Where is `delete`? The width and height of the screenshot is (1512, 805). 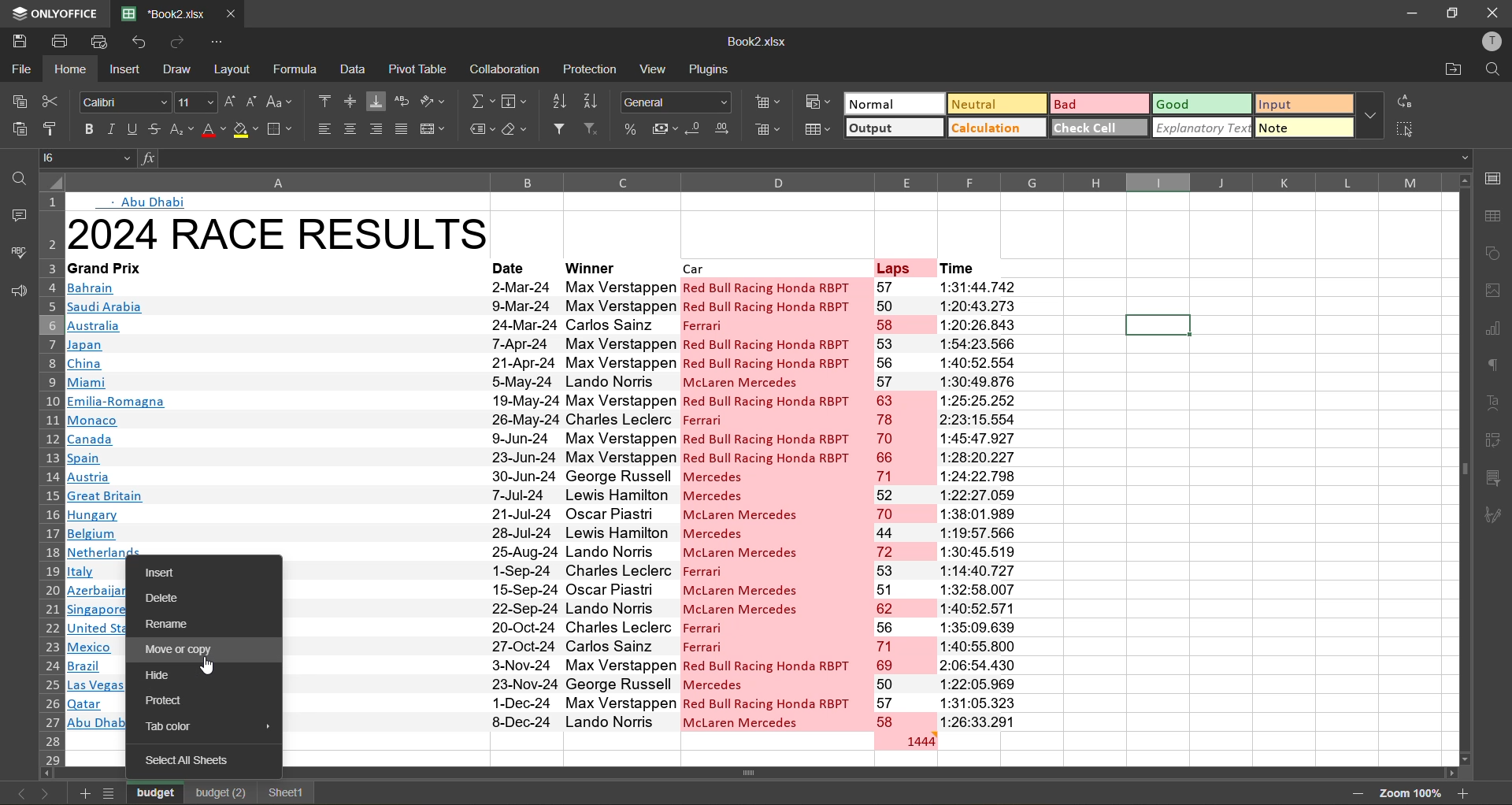 delete is located at coordinates (169, 599).